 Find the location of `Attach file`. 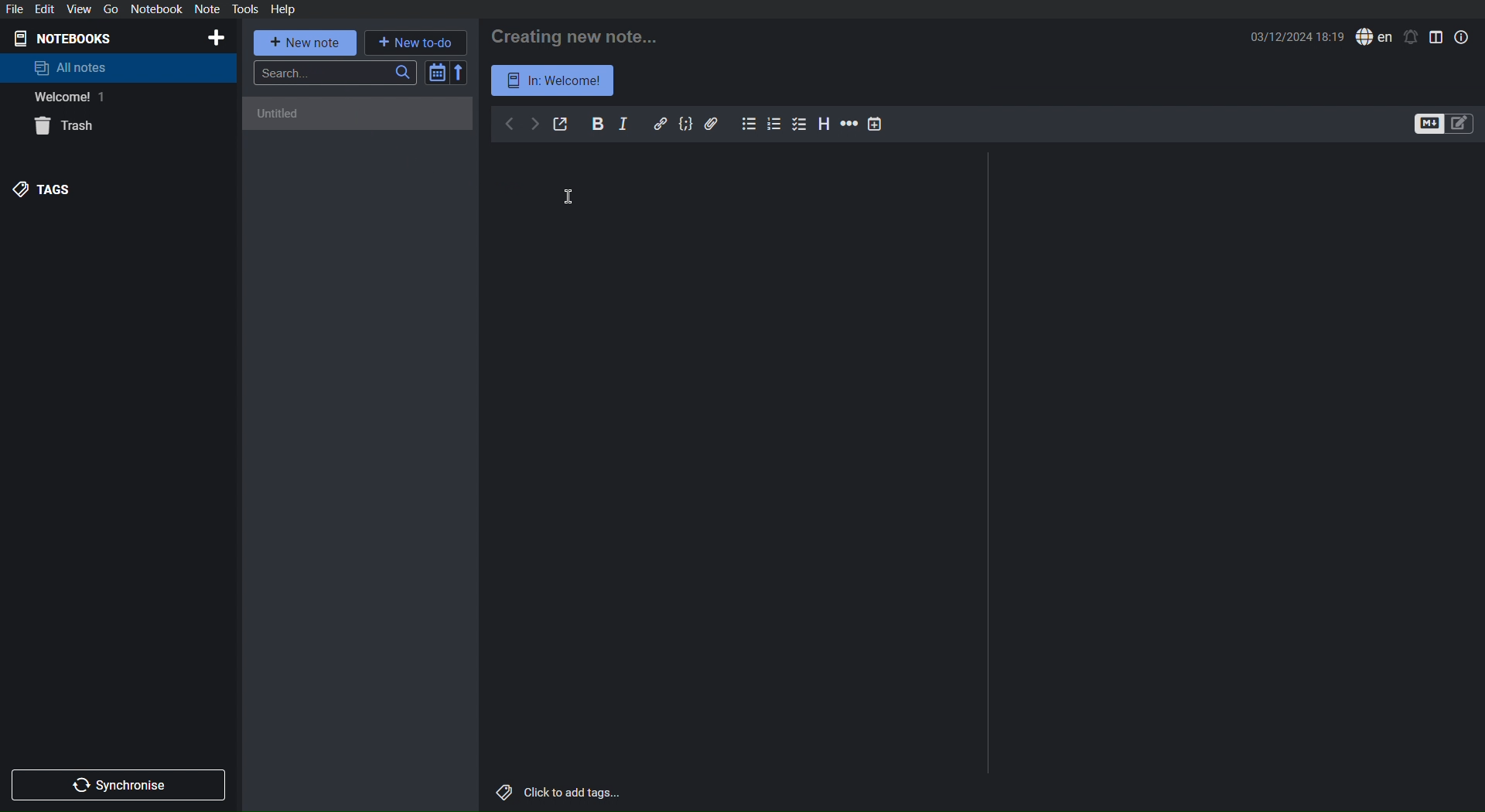

Attach file is located at coordinates (712, 123).